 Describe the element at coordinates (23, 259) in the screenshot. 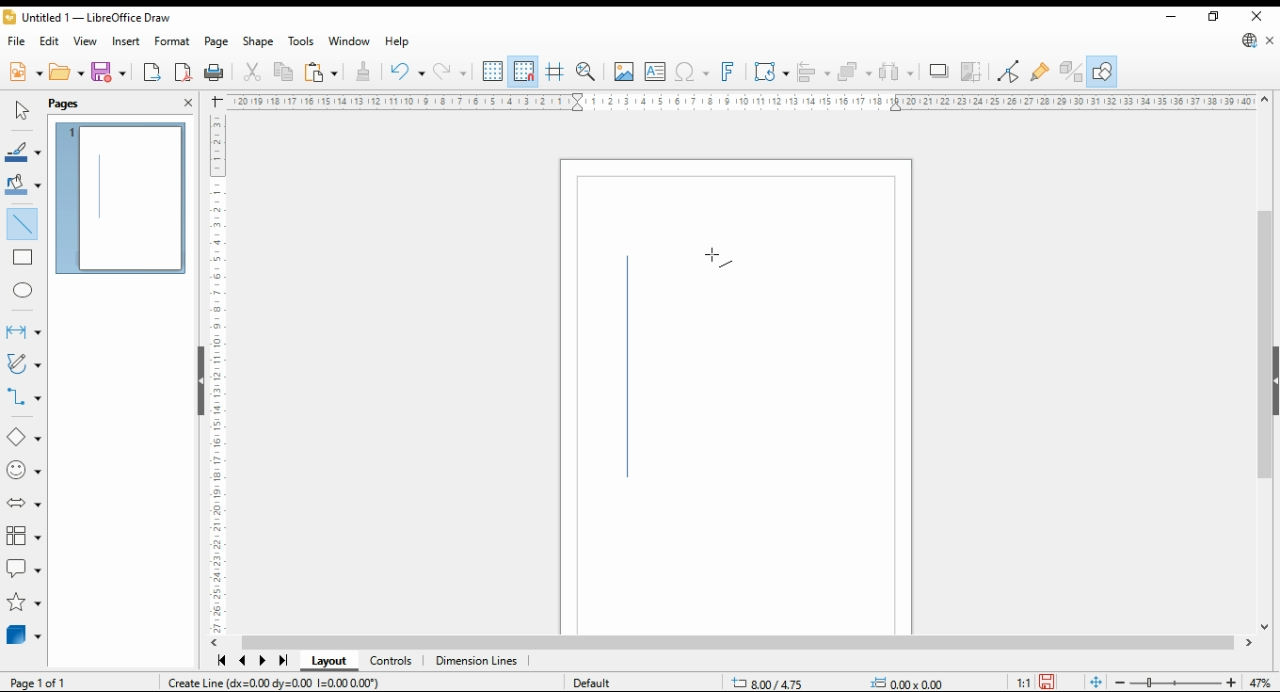

I see `rectangle` at that location.